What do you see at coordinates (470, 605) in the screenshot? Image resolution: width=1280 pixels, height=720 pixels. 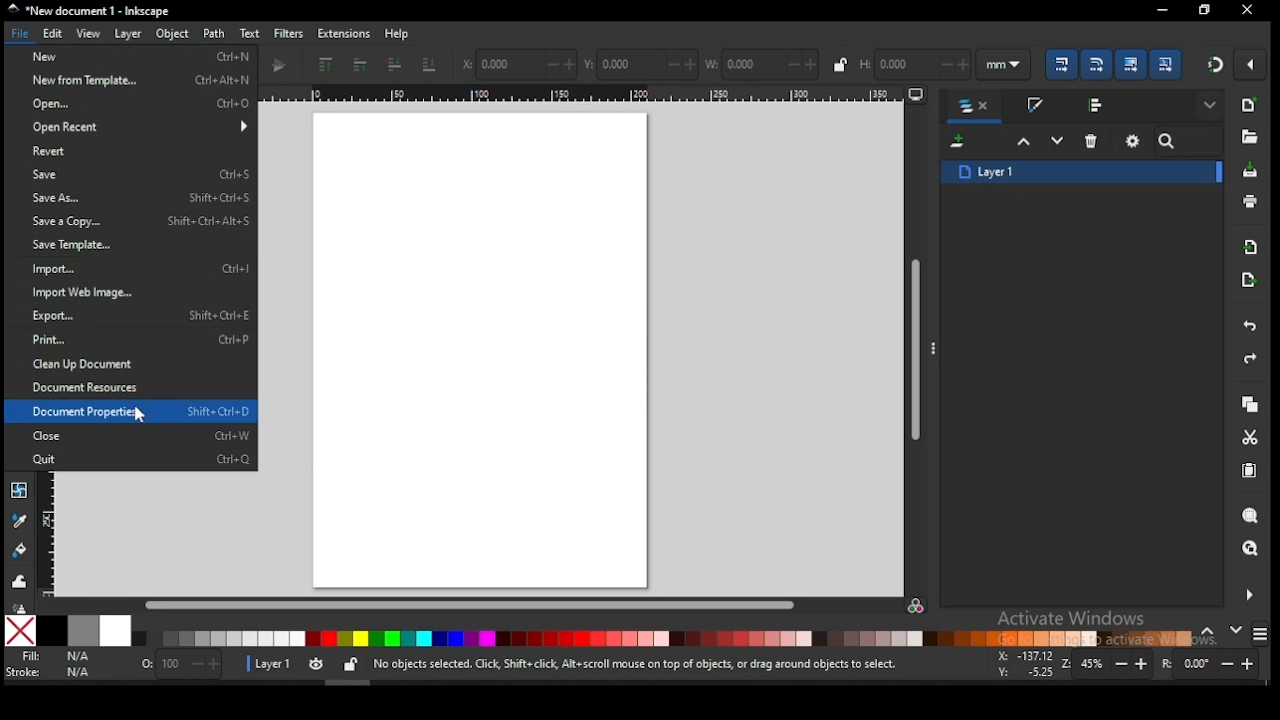 I see `scroll bar` at bounding box center [470, 605].